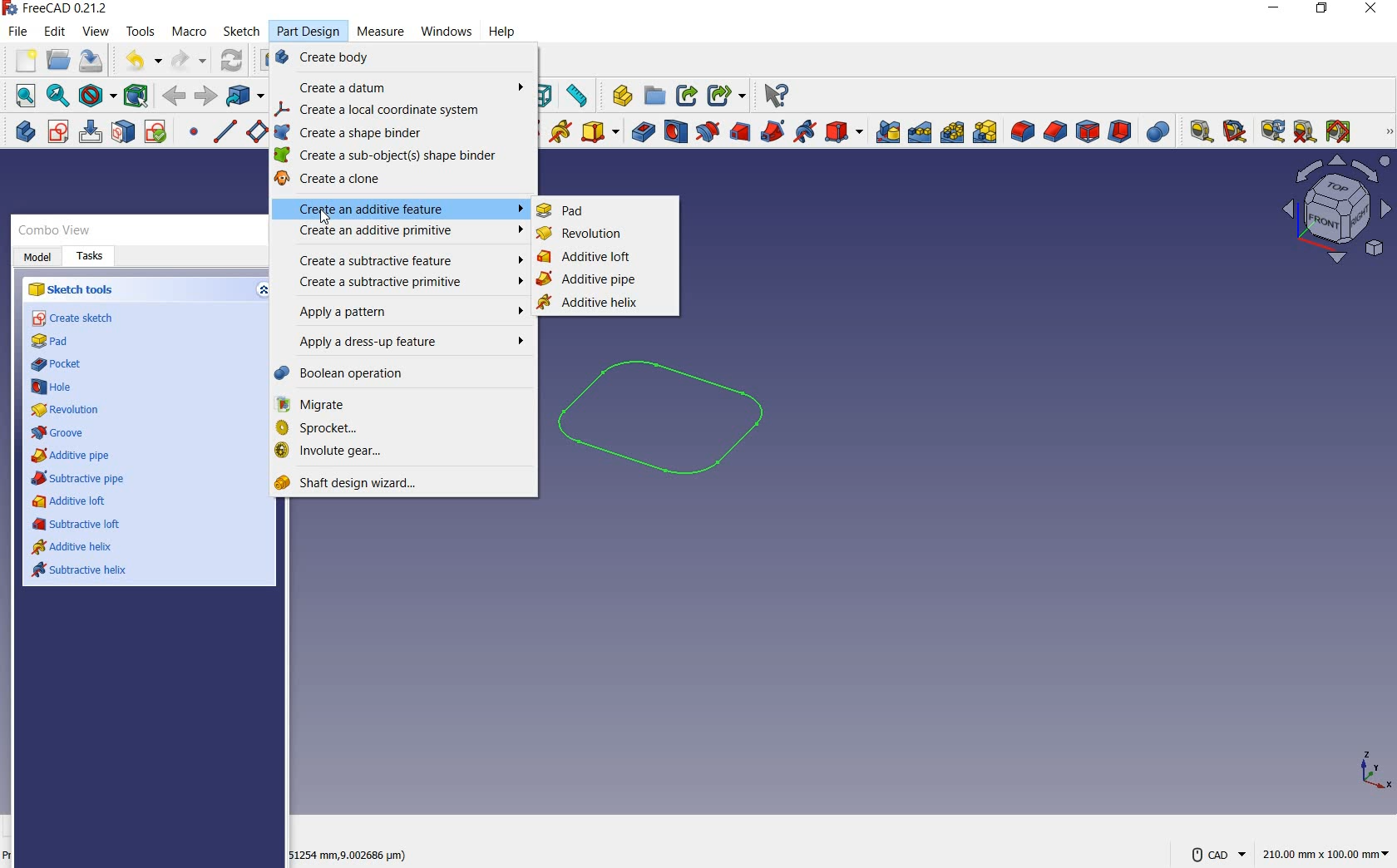 The height and width of the screenshot is (868, 1397). I want to click on minimize, so click(1276, 8).